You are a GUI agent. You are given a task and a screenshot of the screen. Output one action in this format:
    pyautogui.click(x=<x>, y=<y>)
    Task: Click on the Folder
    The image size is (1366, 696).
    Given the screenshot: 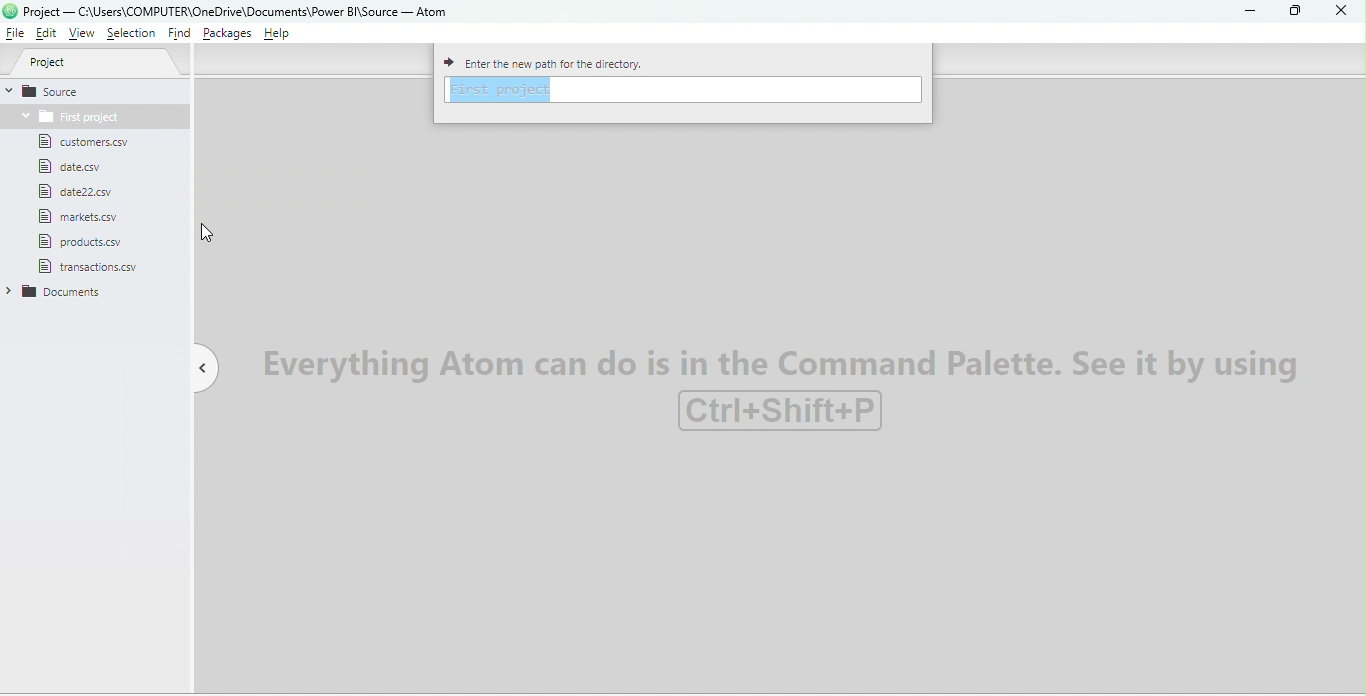 What is the action you would take?
    pyautogui.click(x=67, y=116)
    